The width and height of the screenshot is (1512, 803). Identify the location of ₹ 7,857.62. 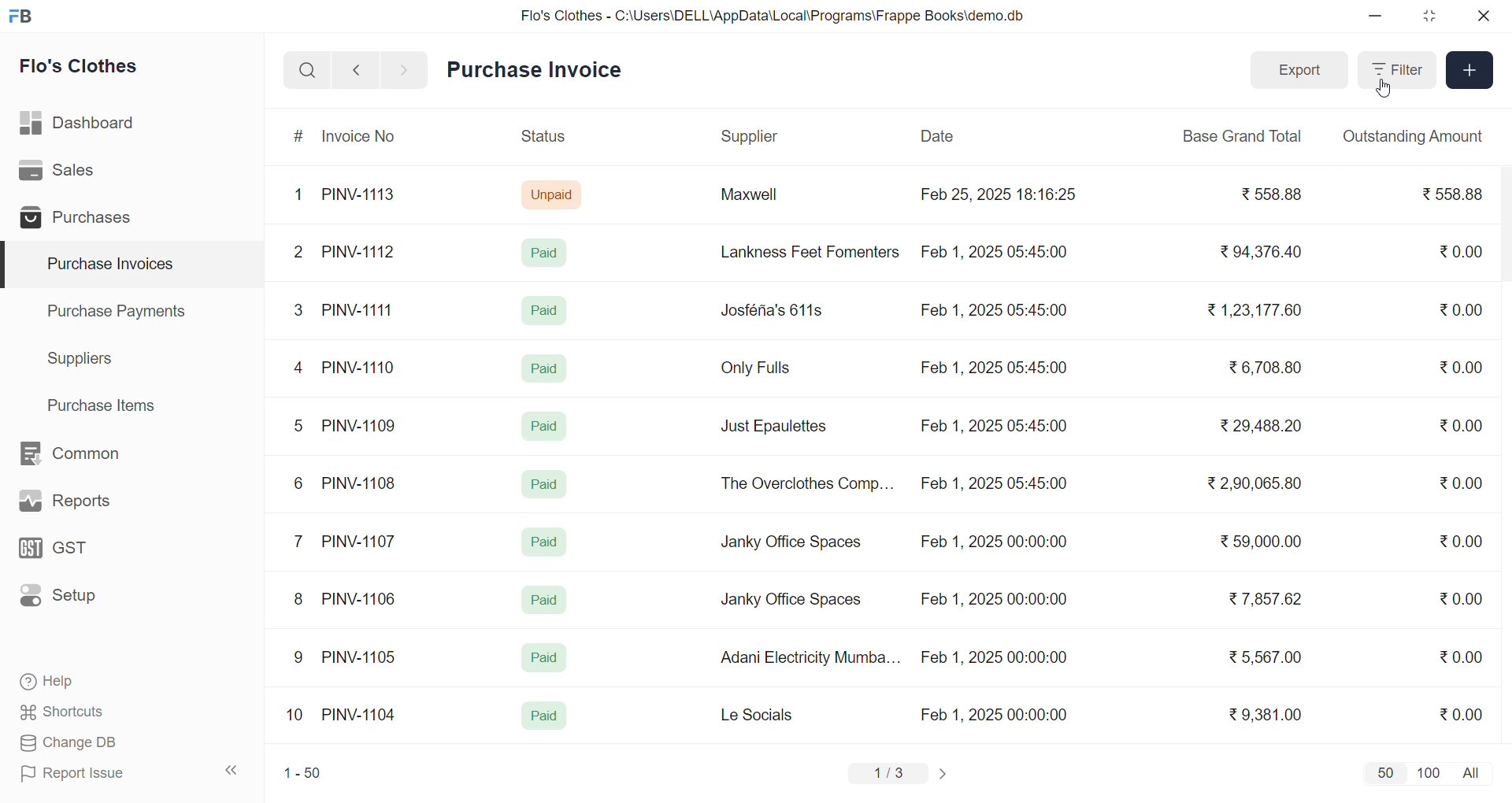
(1267, 599).